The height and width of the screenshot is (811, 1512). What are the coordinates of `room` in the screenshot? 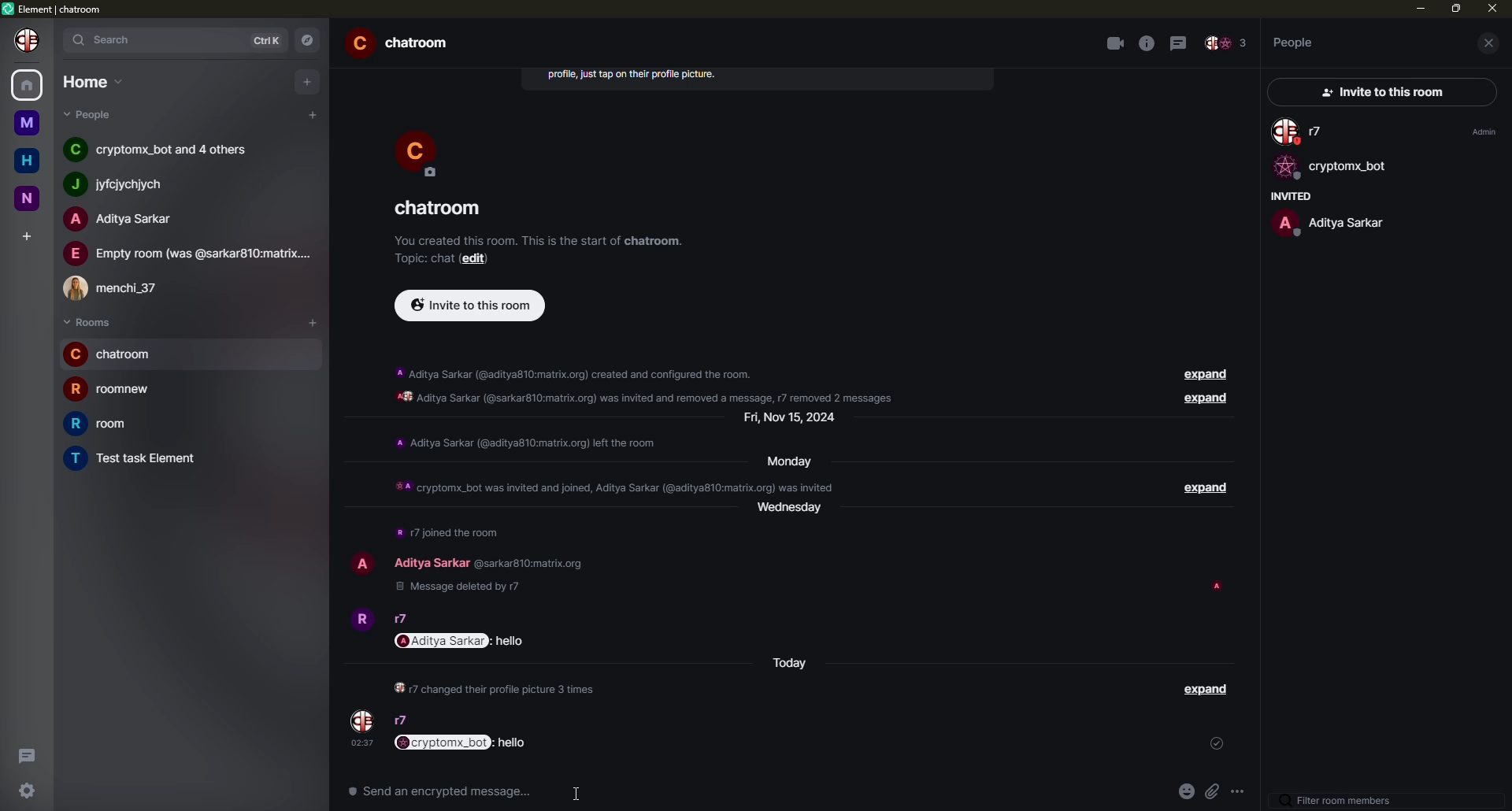 It's located at (405, 45).